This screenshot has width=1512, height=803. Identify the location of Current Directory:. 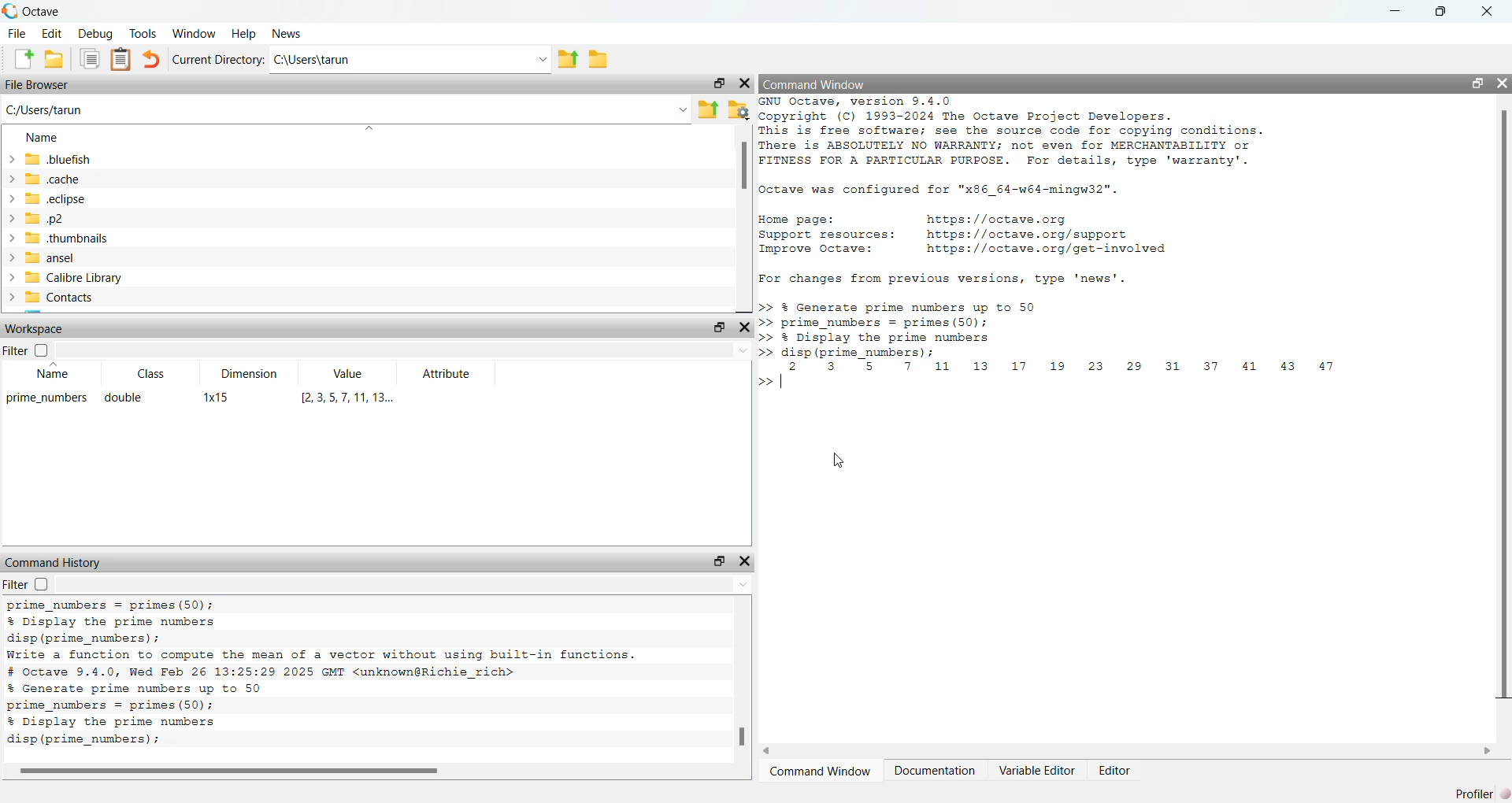
(219, 60).